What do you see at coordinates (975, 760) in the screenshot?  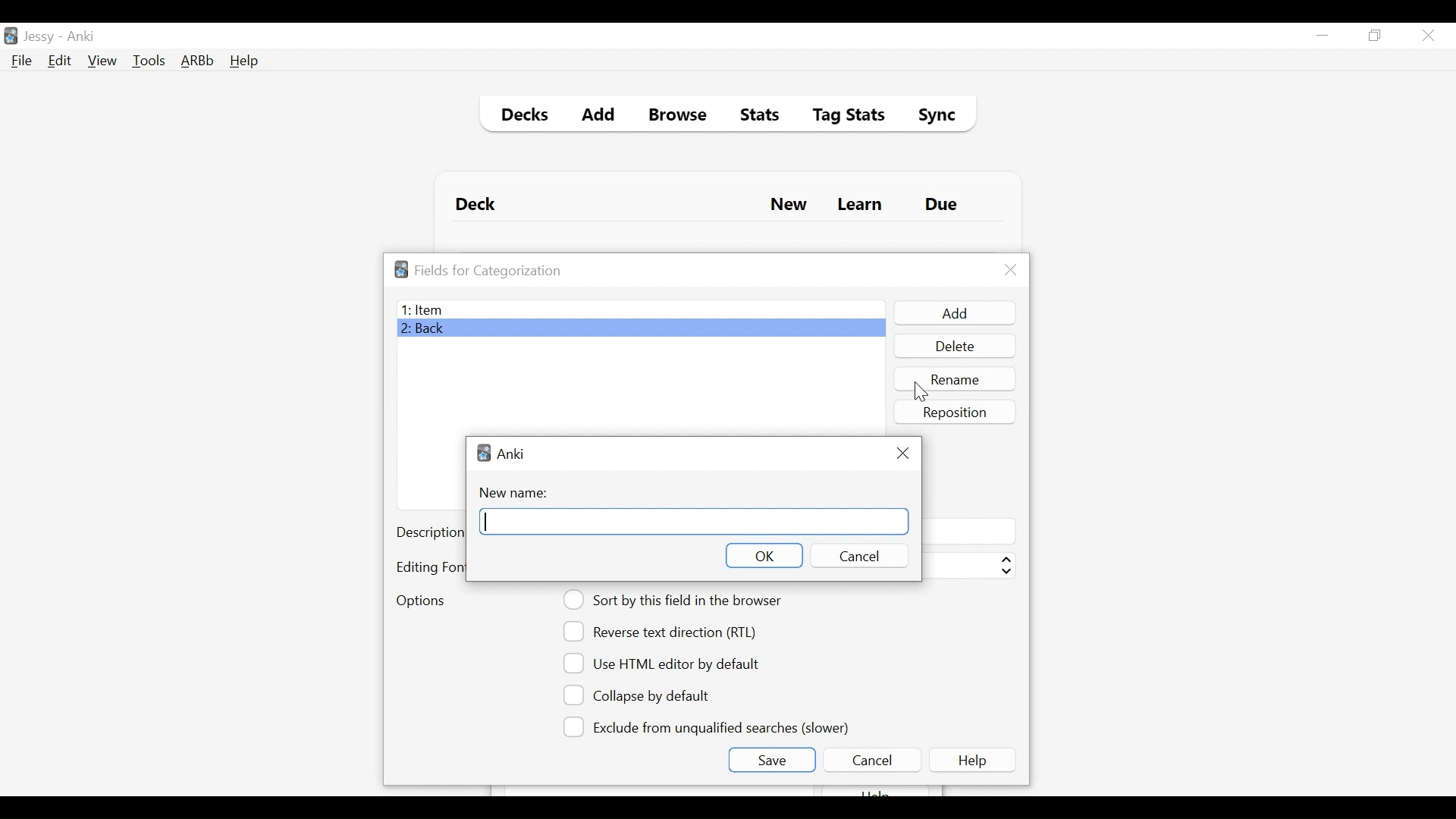 I see `Help` at bounding box center [975, 760].